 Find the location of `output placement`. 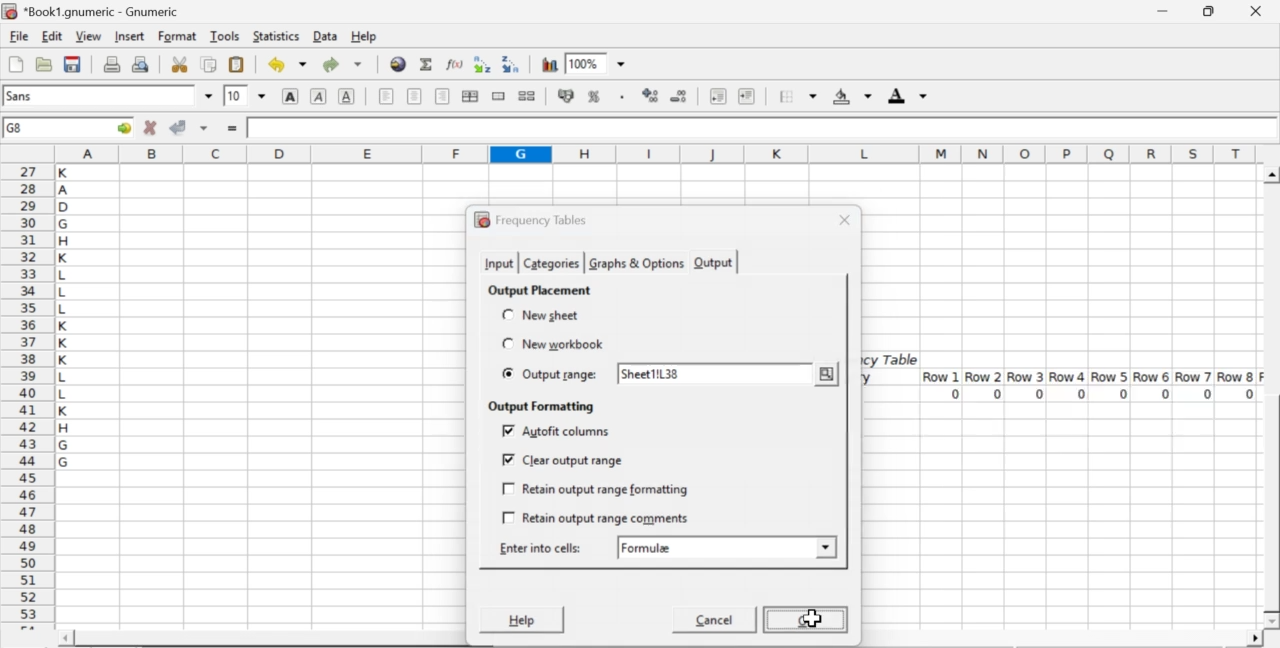

output placement is located at coordinates (538, 290).